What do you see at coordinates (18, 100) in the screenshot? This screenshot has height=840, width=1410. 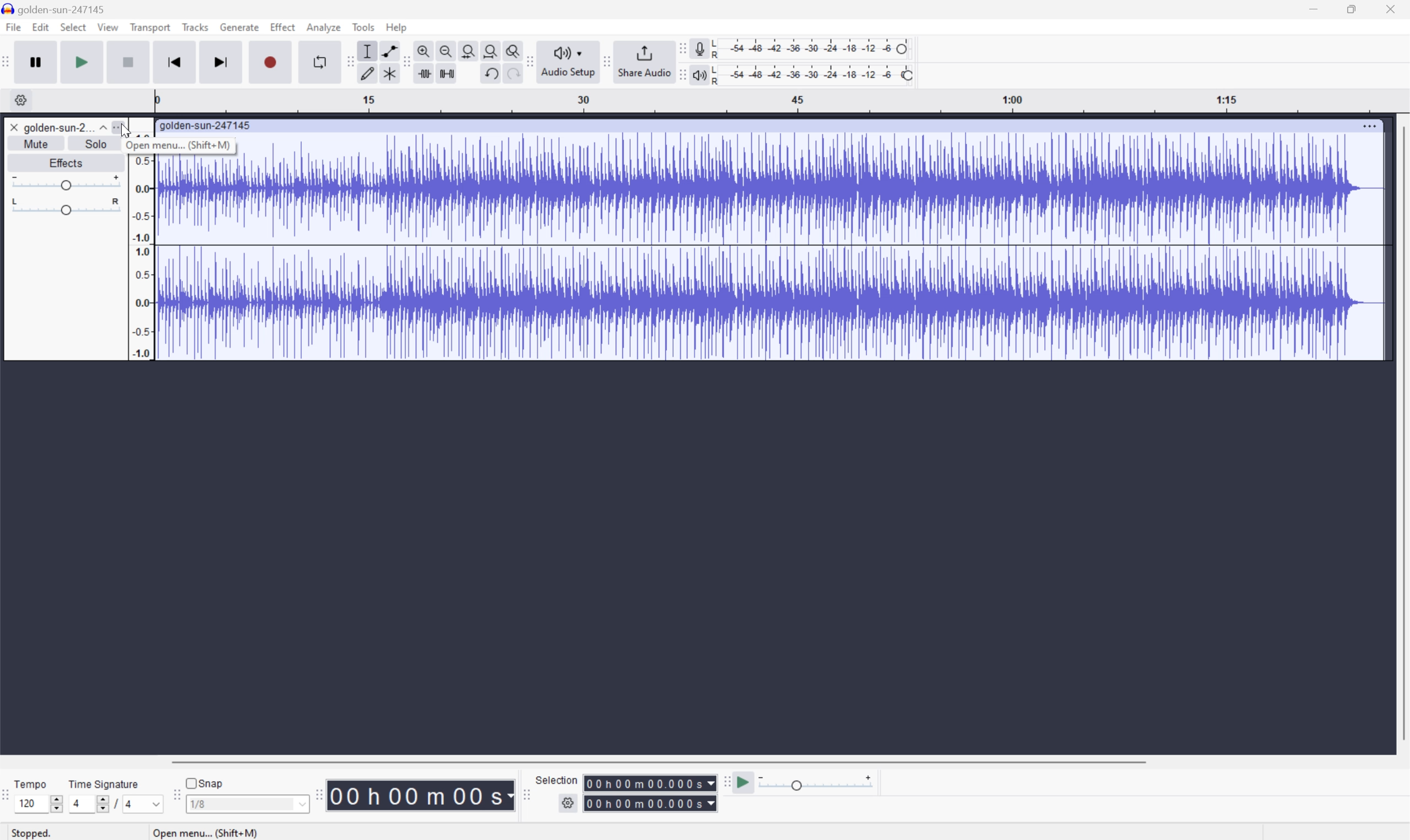 I see `Settings` at bounding box center [18, 100].